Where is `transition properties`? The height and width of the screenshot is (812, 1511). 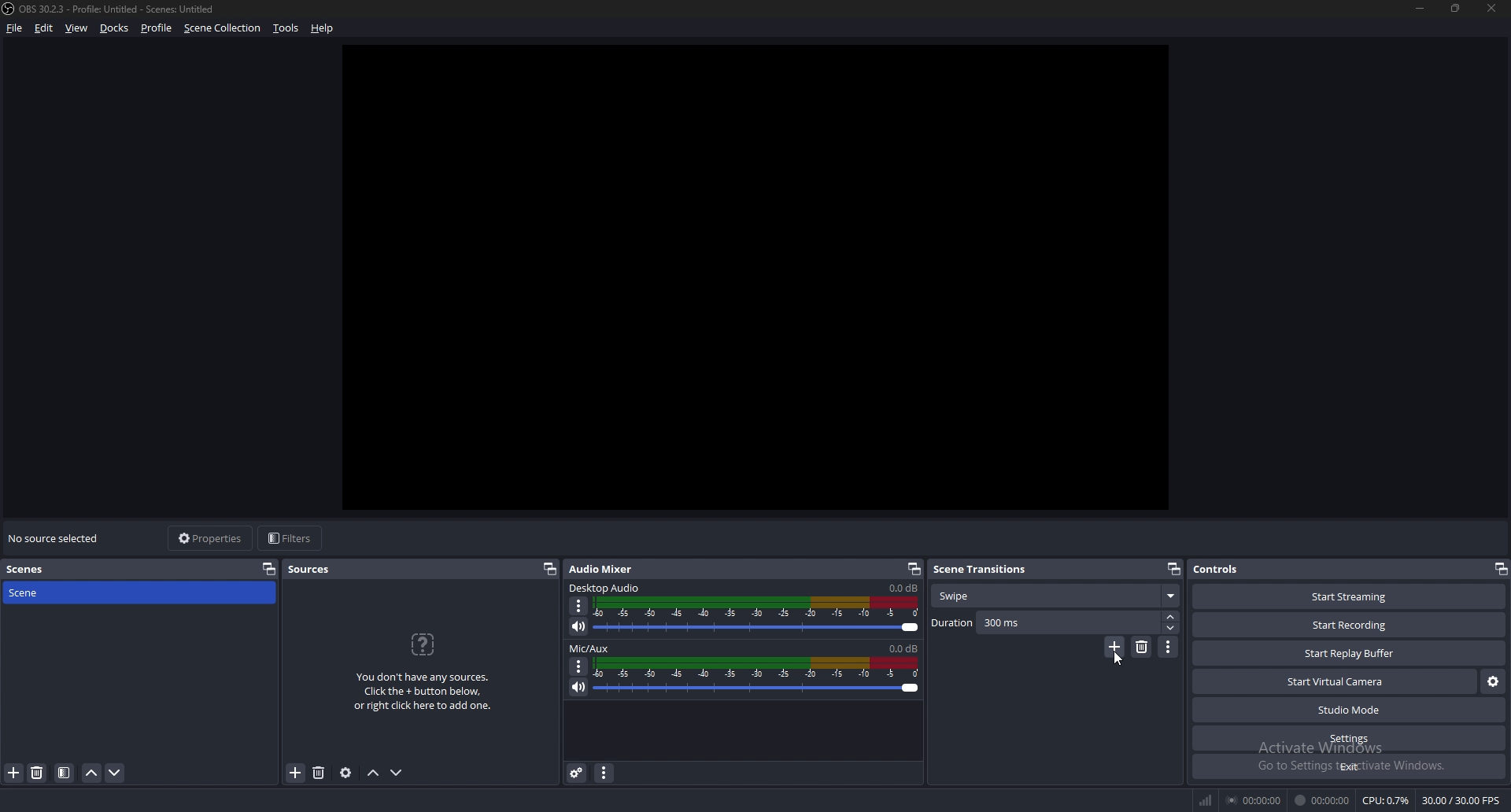 transition properties is located at coordinates (1169, 648).